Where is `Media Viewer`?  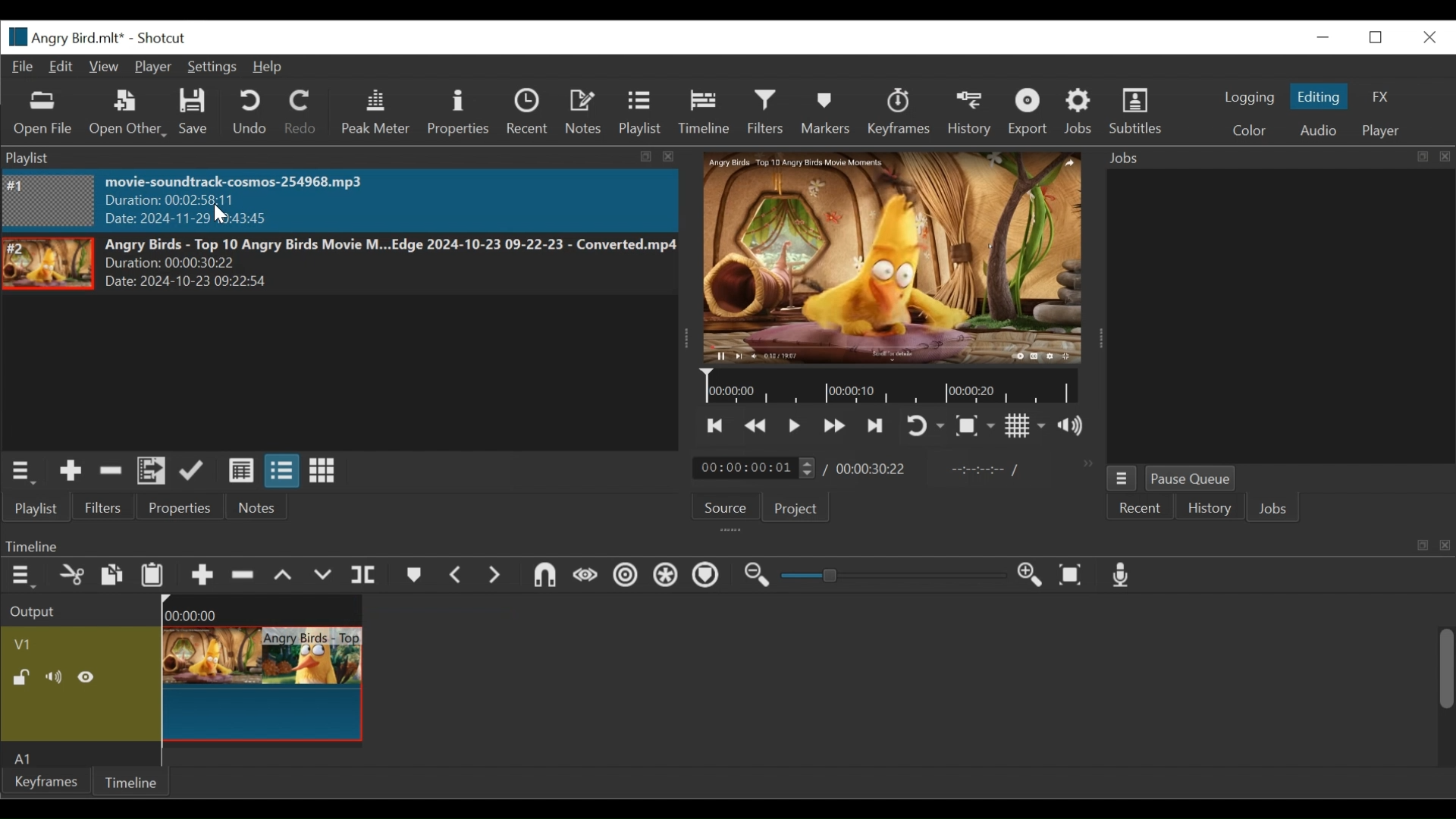
Media Viewer is located at coordinates (886, 256).